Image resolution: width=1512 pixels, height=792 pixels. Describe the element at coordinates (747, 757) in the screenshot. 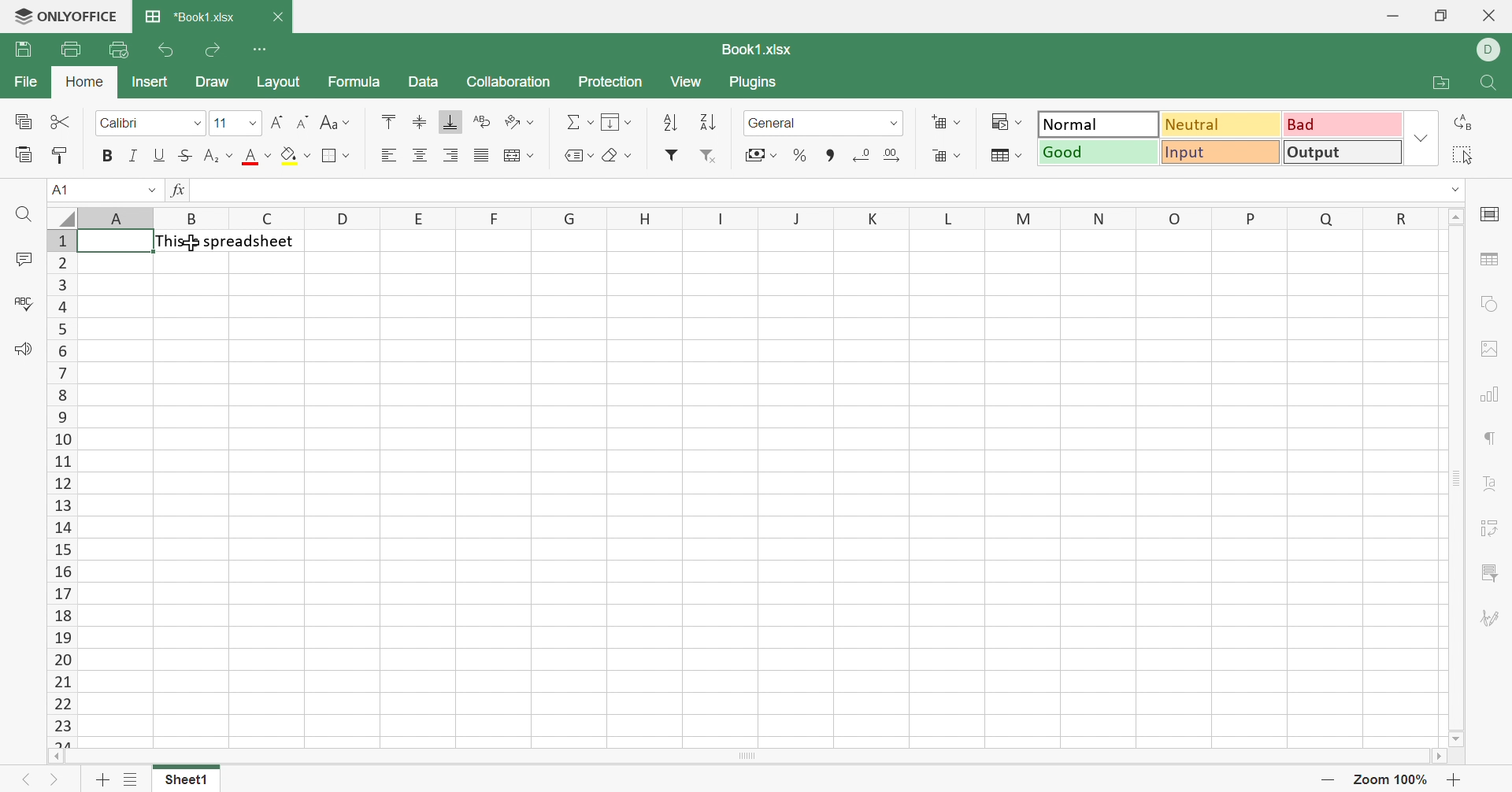

I see `Scroll Bar` at that location.